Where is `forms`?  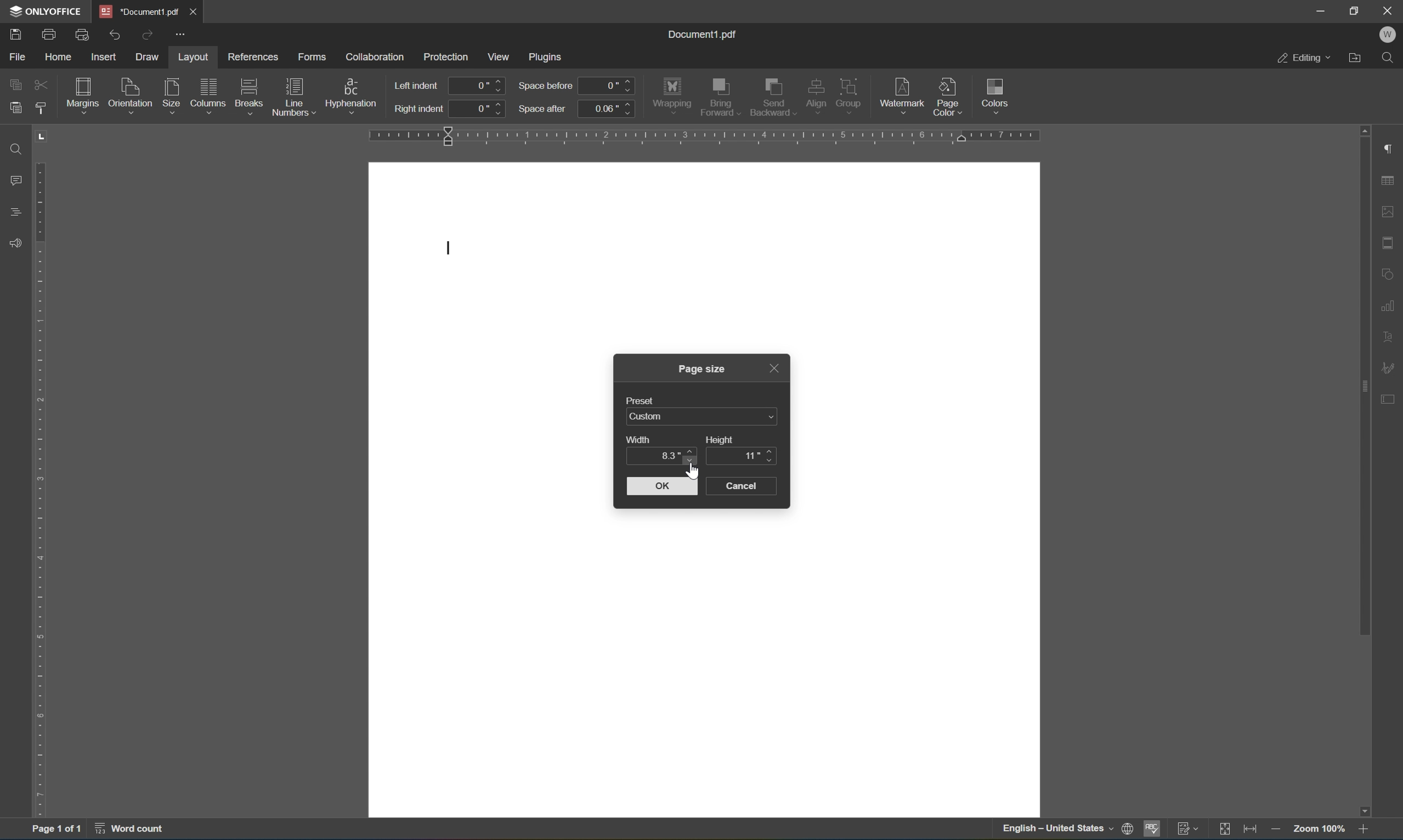 forms is located at coordinates (311, 54).